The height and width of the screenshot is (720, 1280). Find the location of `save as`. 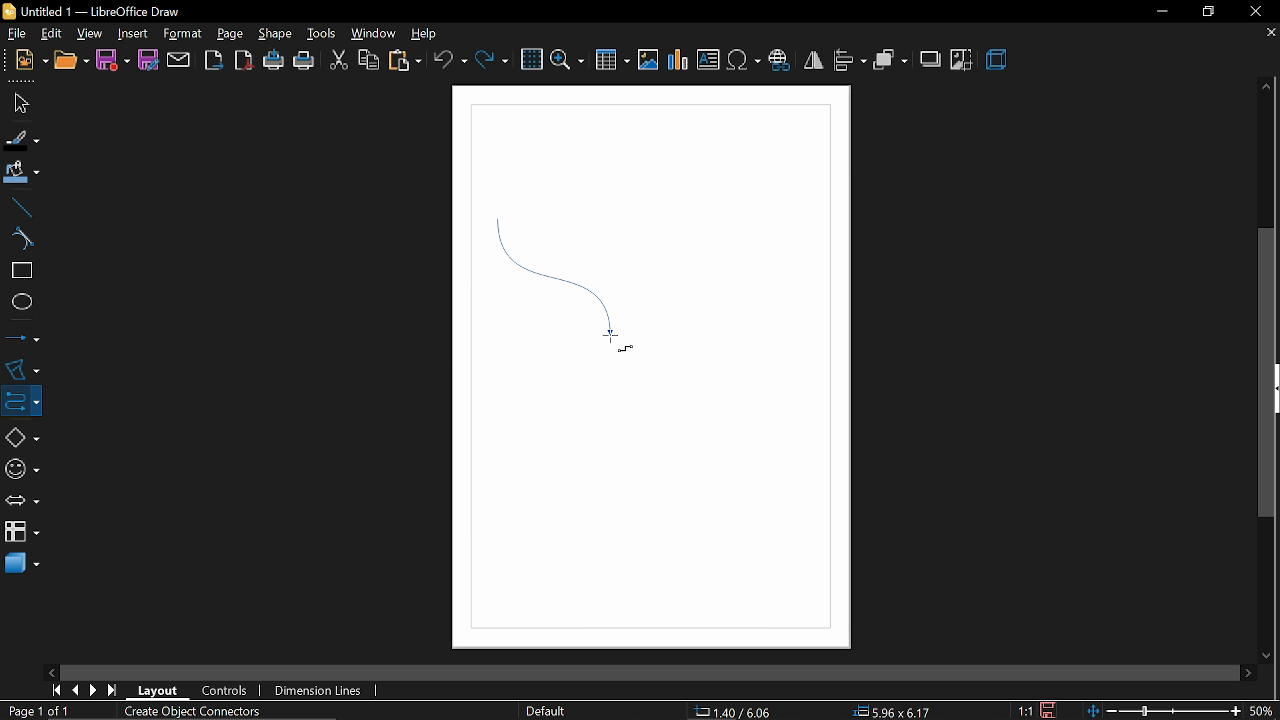

save as is located at coordinates (147, 60).